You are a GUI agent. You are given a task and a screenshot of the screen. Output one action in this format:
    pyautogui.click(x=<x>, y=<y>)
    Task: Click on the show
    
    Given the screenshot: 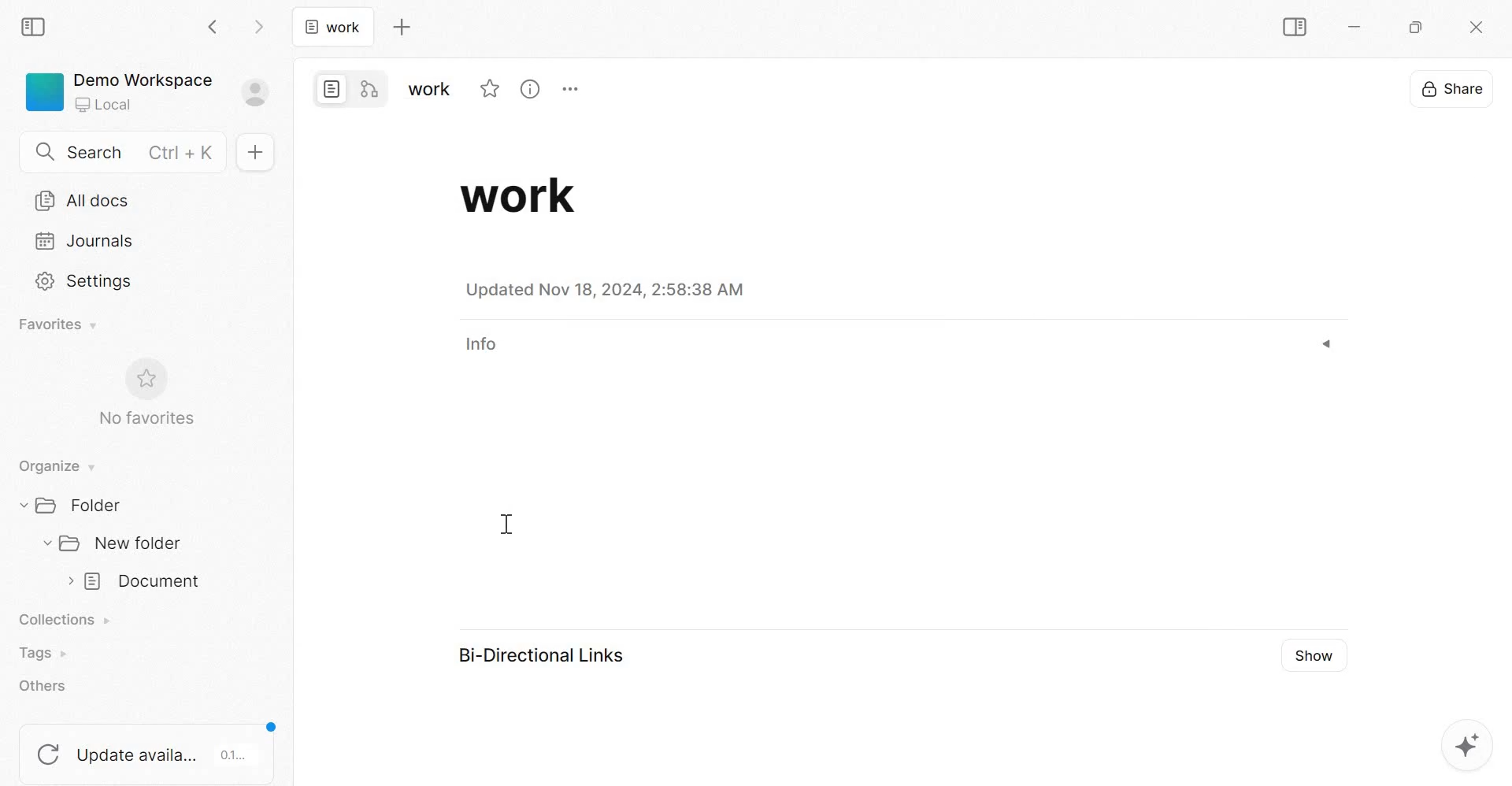 What is the action you would take?
    pyautogui.click(x=1312, y=655)
    